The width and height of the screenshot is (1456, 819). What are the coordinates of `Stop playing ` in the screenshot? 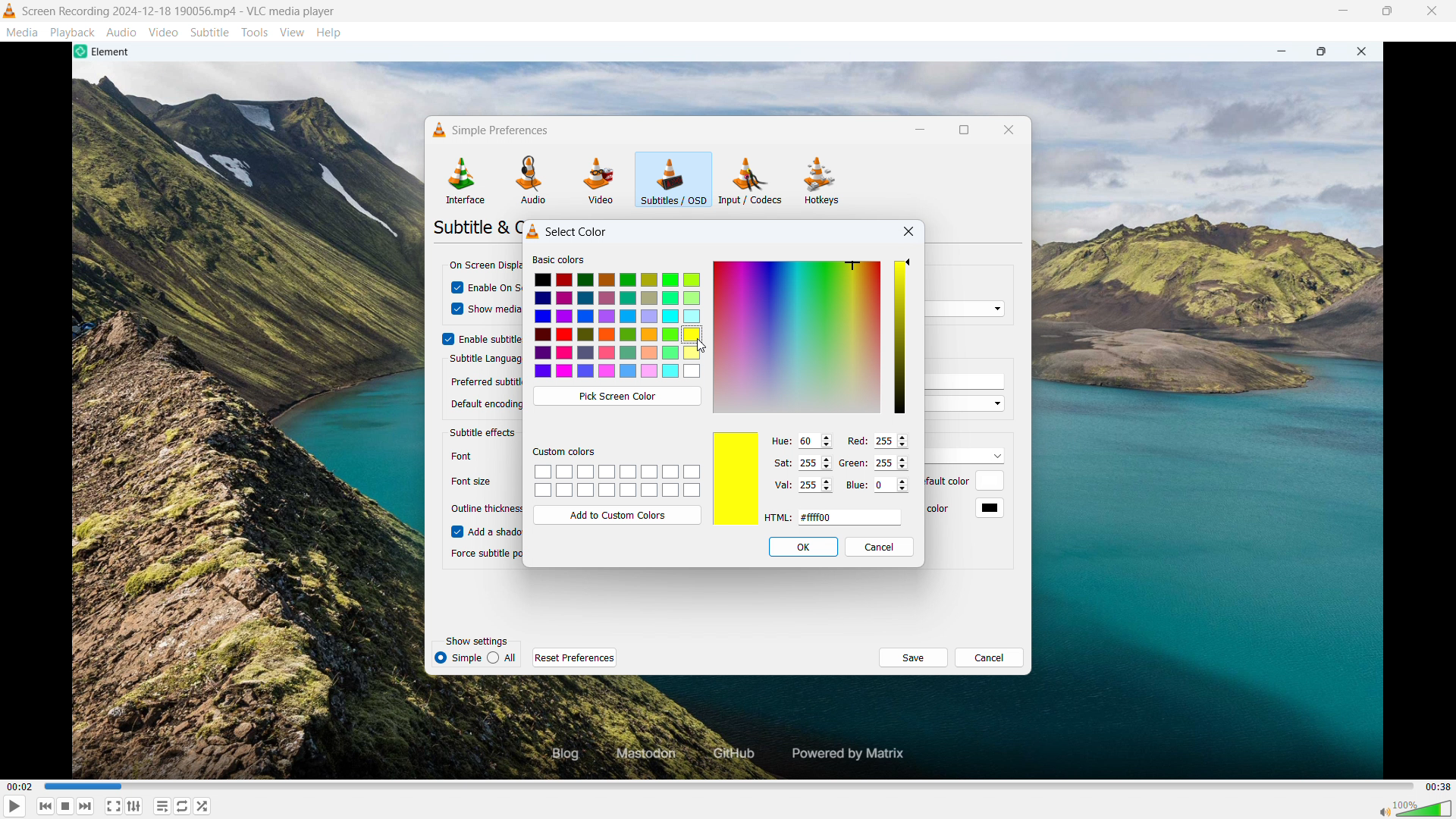 It's located at (46, 806).